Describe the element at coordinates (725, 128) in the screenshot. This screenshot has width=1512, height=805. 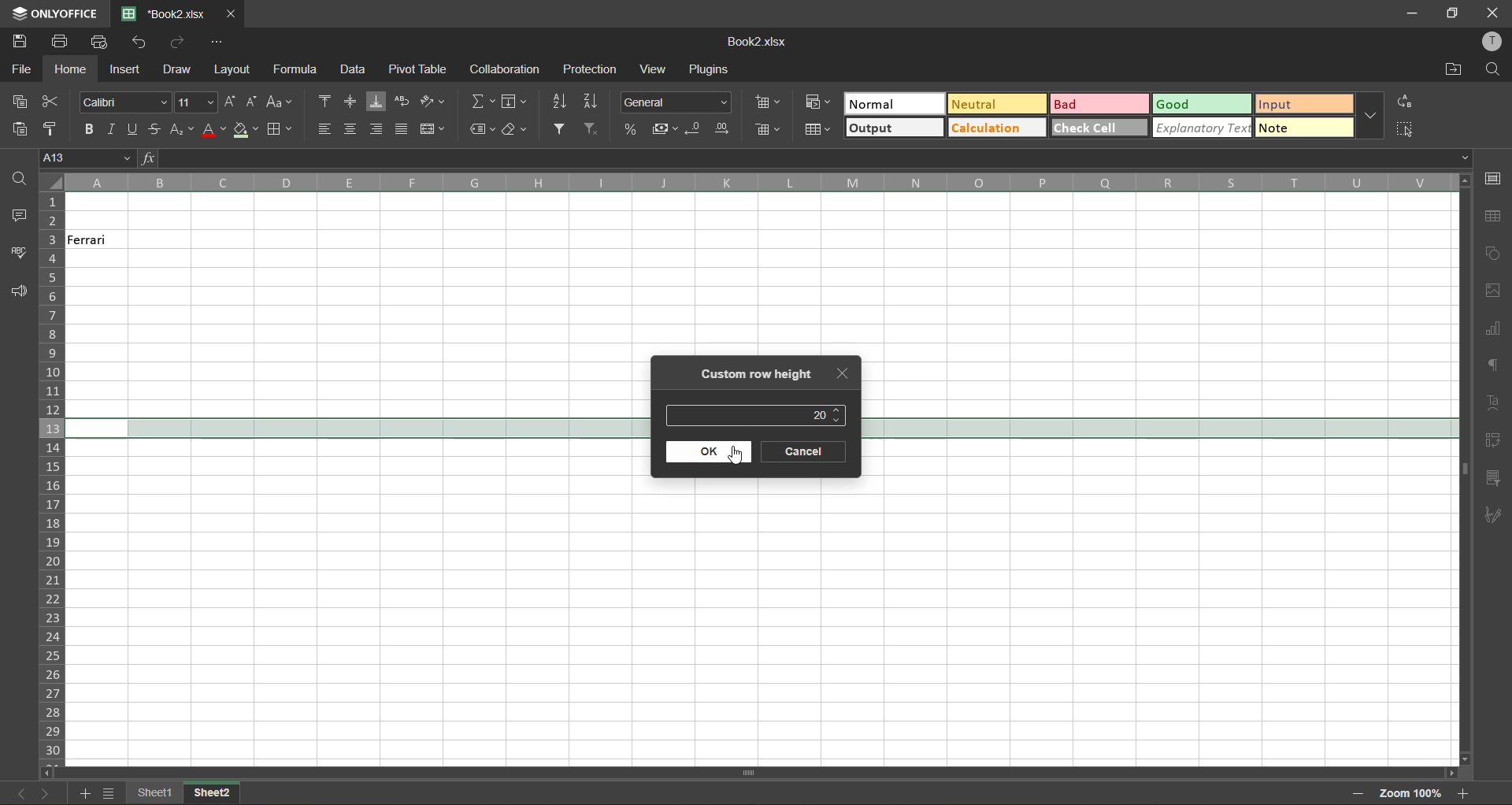
I see `increase decimal` at that location.